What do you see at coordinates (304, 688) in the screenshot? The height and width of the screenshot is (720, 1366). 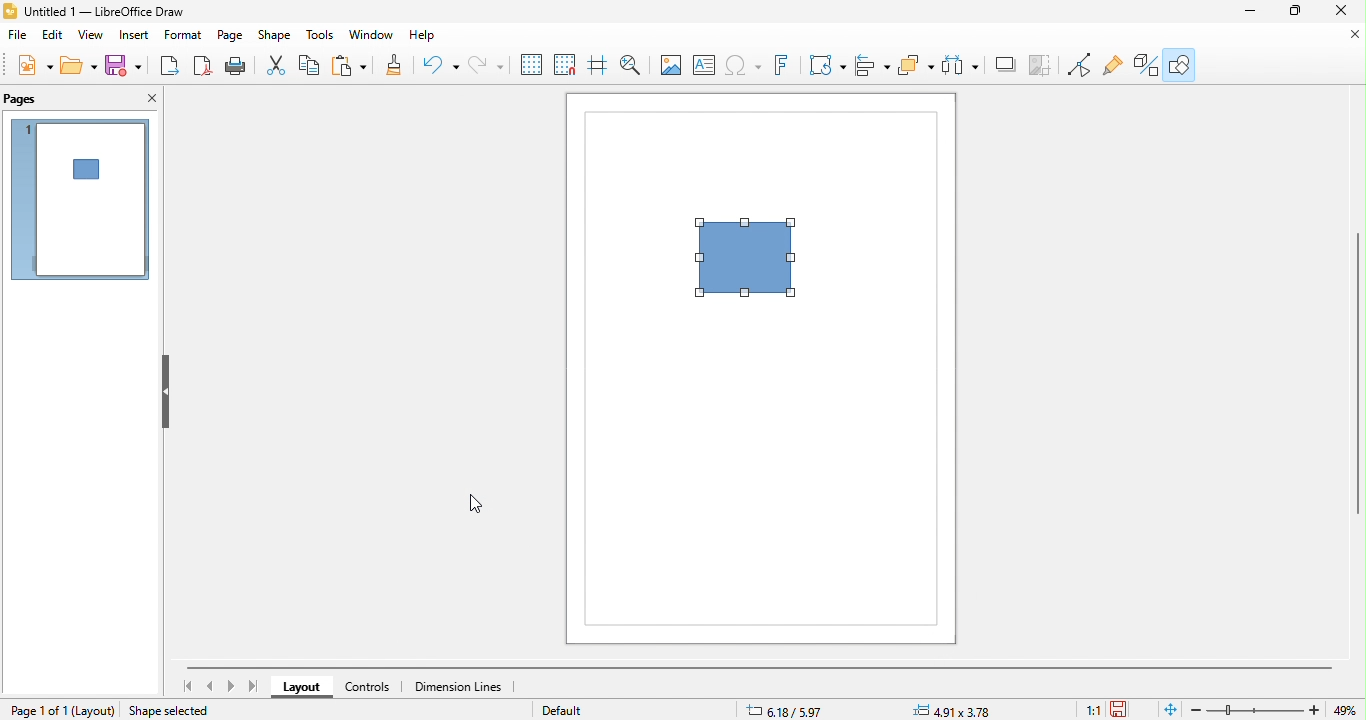 I see `layout` at bounding box center [304, 688].